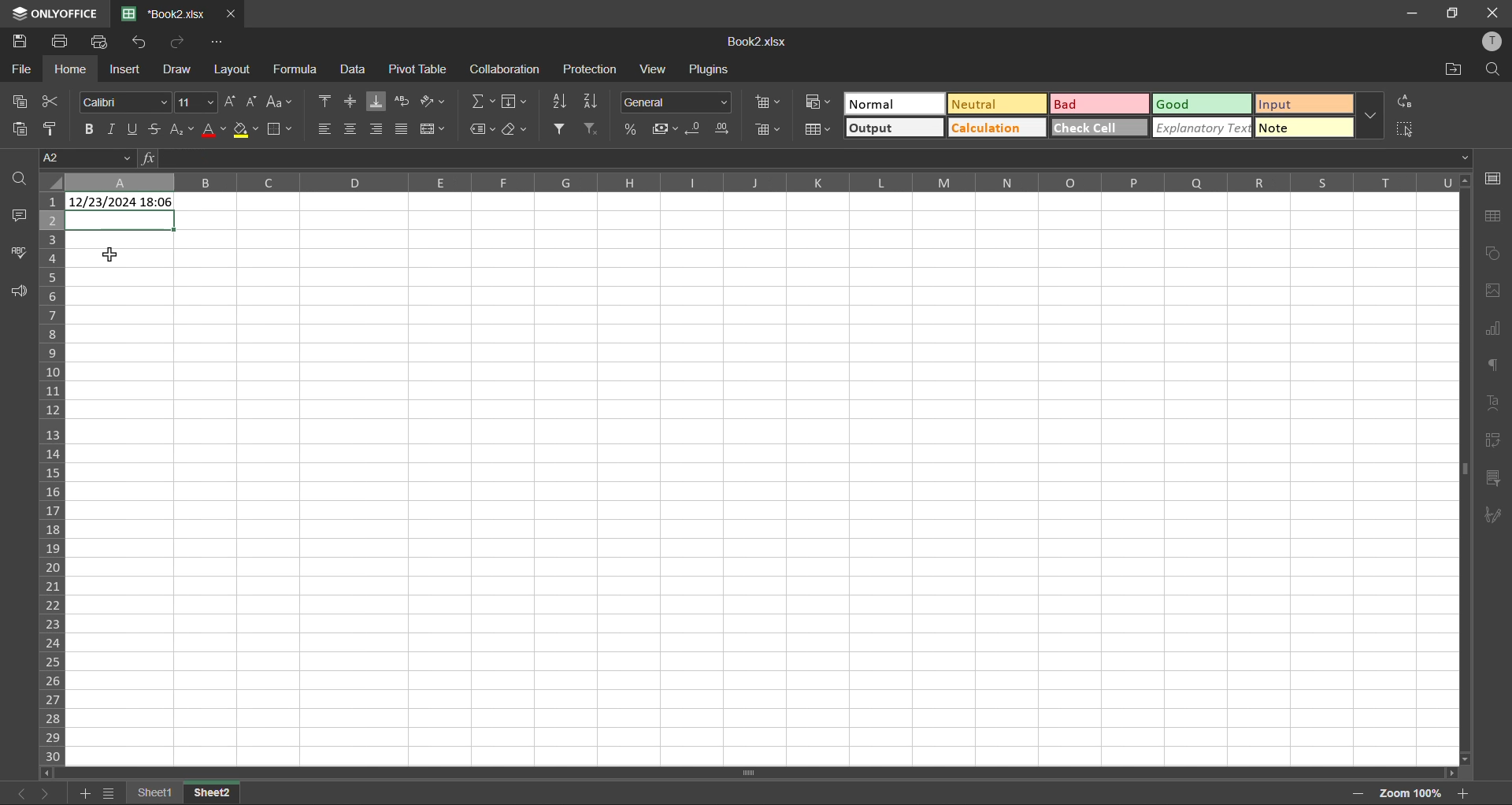 This screenshot has height=805, width=1512. I want to click on column names in alphabets, so click(763, 180).